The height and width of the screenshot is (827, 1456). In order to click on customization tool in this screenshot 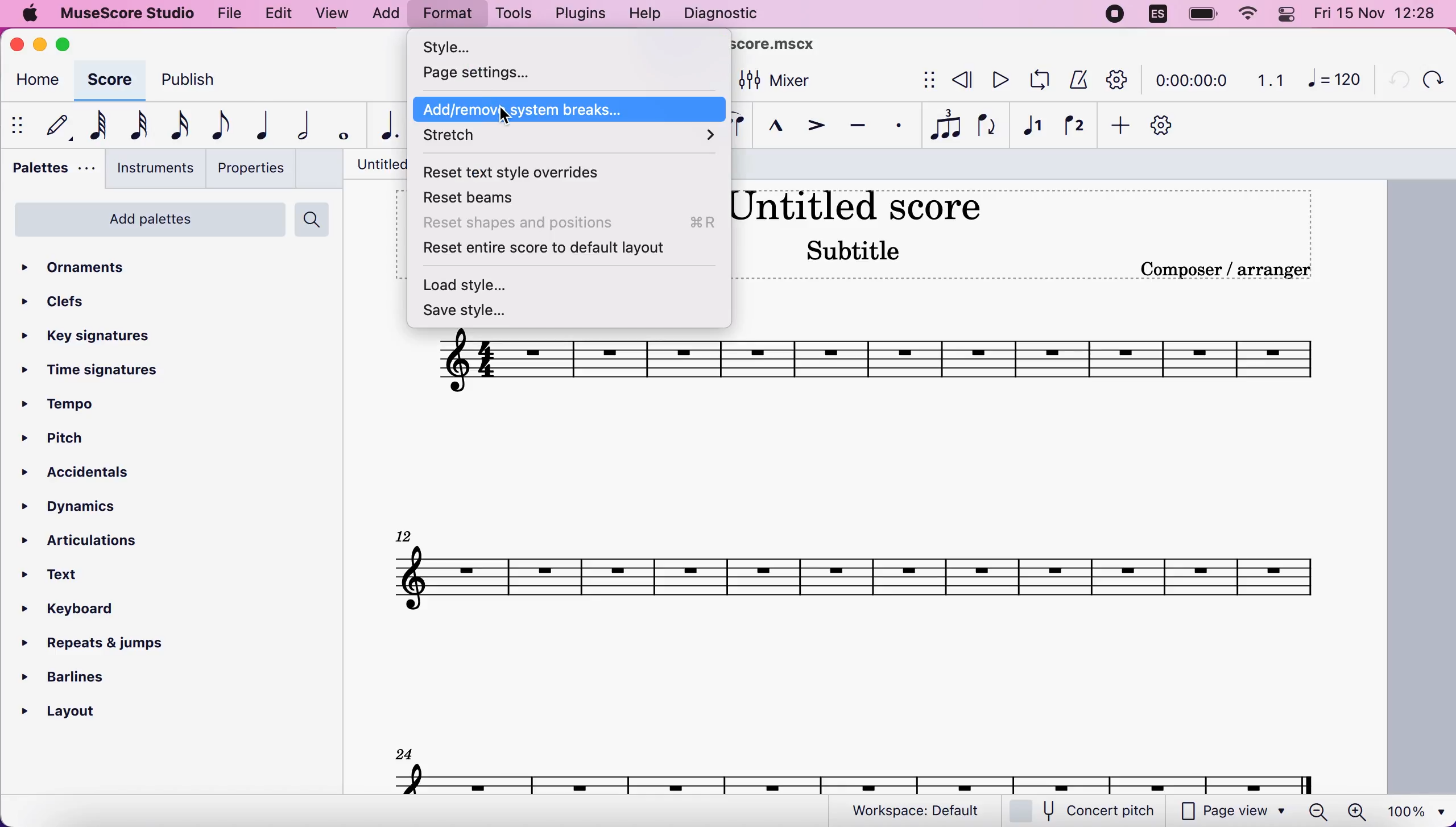, I will do `click(1172, 126)`.